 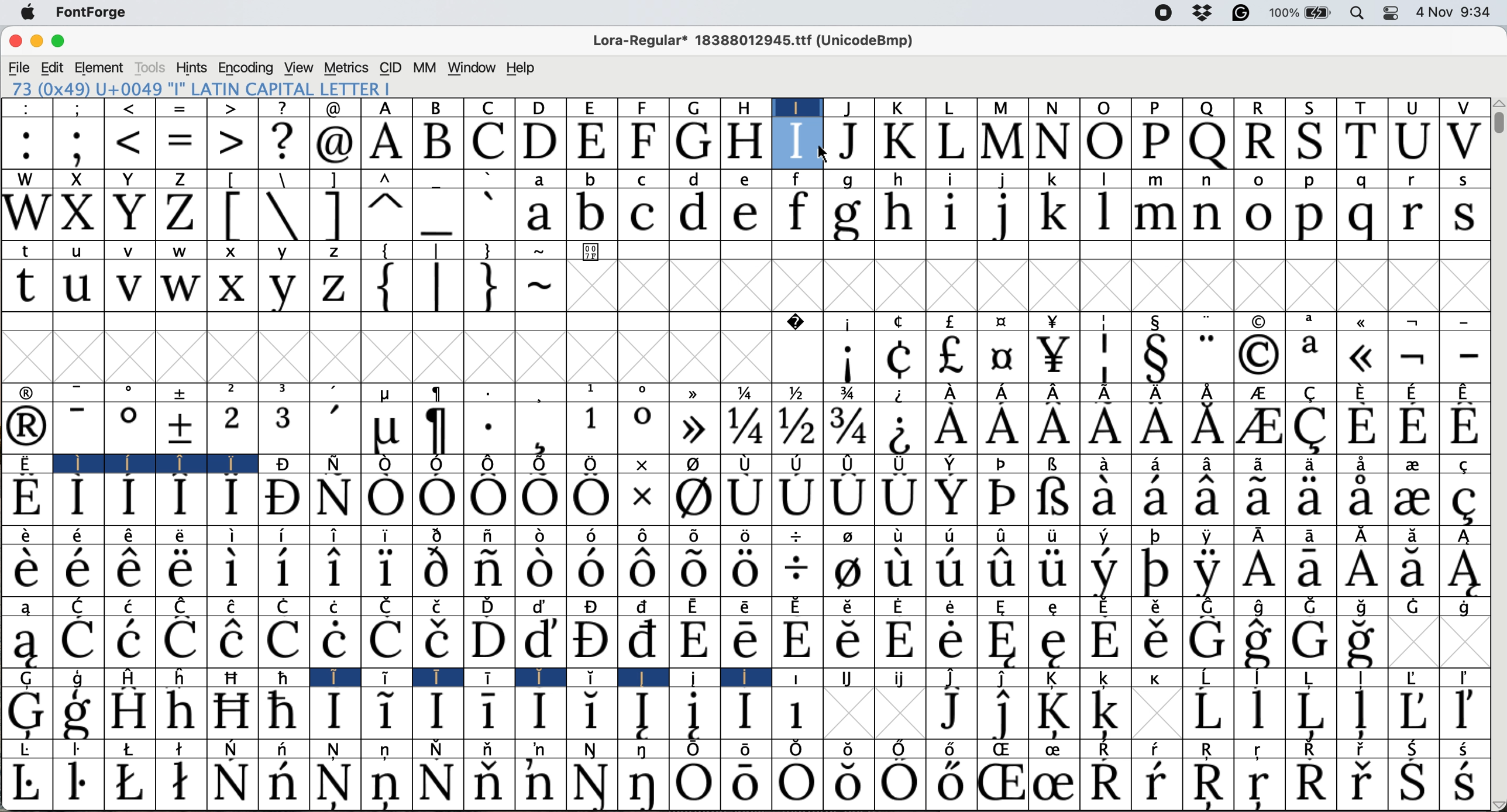 What do you see at coordinates (390, 710) in the screenshot?
I see `Symbol` at bounding box center [390, 710].